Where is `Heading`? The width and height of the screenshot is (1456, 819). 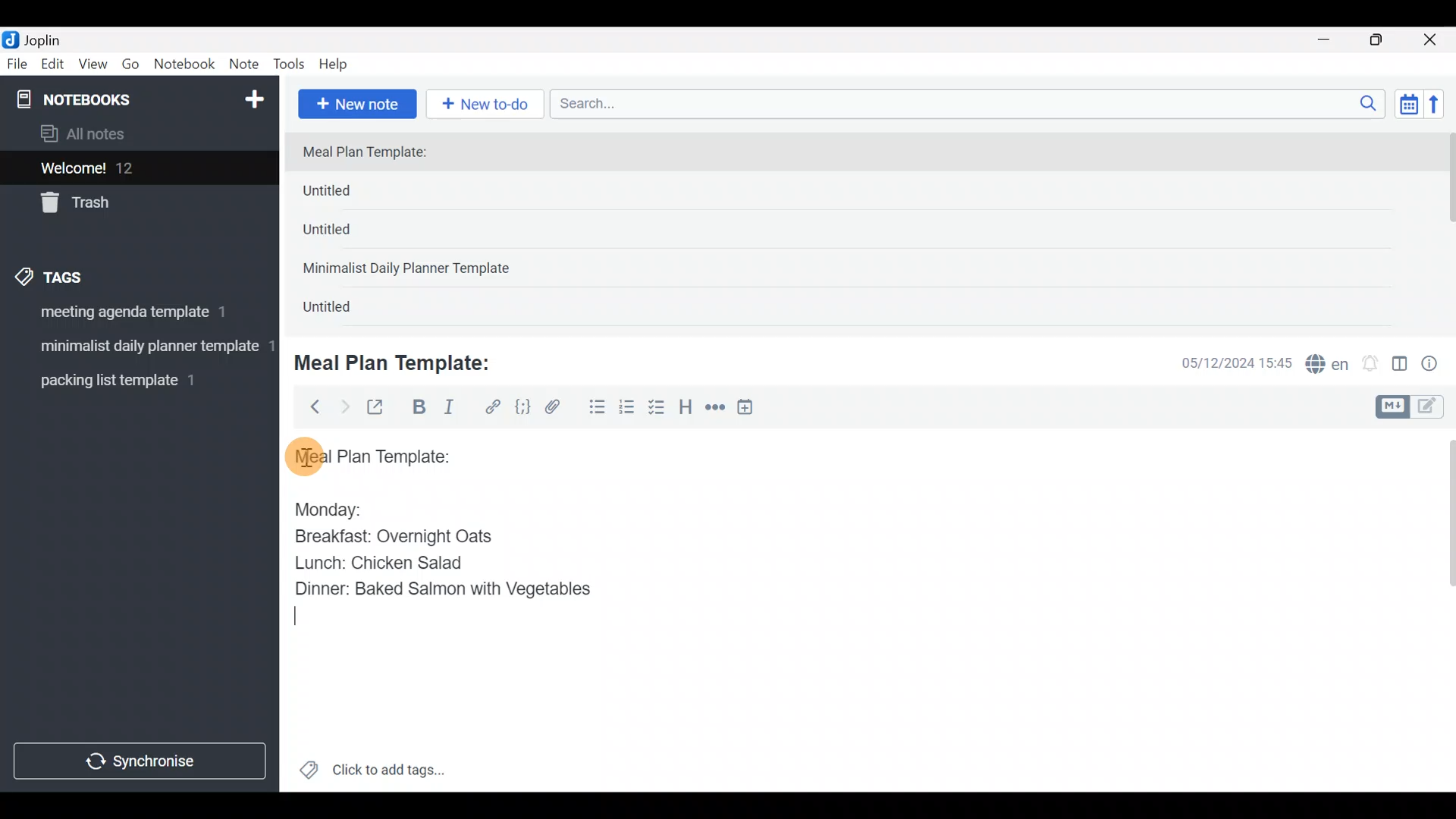
Heading is located at coordinates (686, 409).